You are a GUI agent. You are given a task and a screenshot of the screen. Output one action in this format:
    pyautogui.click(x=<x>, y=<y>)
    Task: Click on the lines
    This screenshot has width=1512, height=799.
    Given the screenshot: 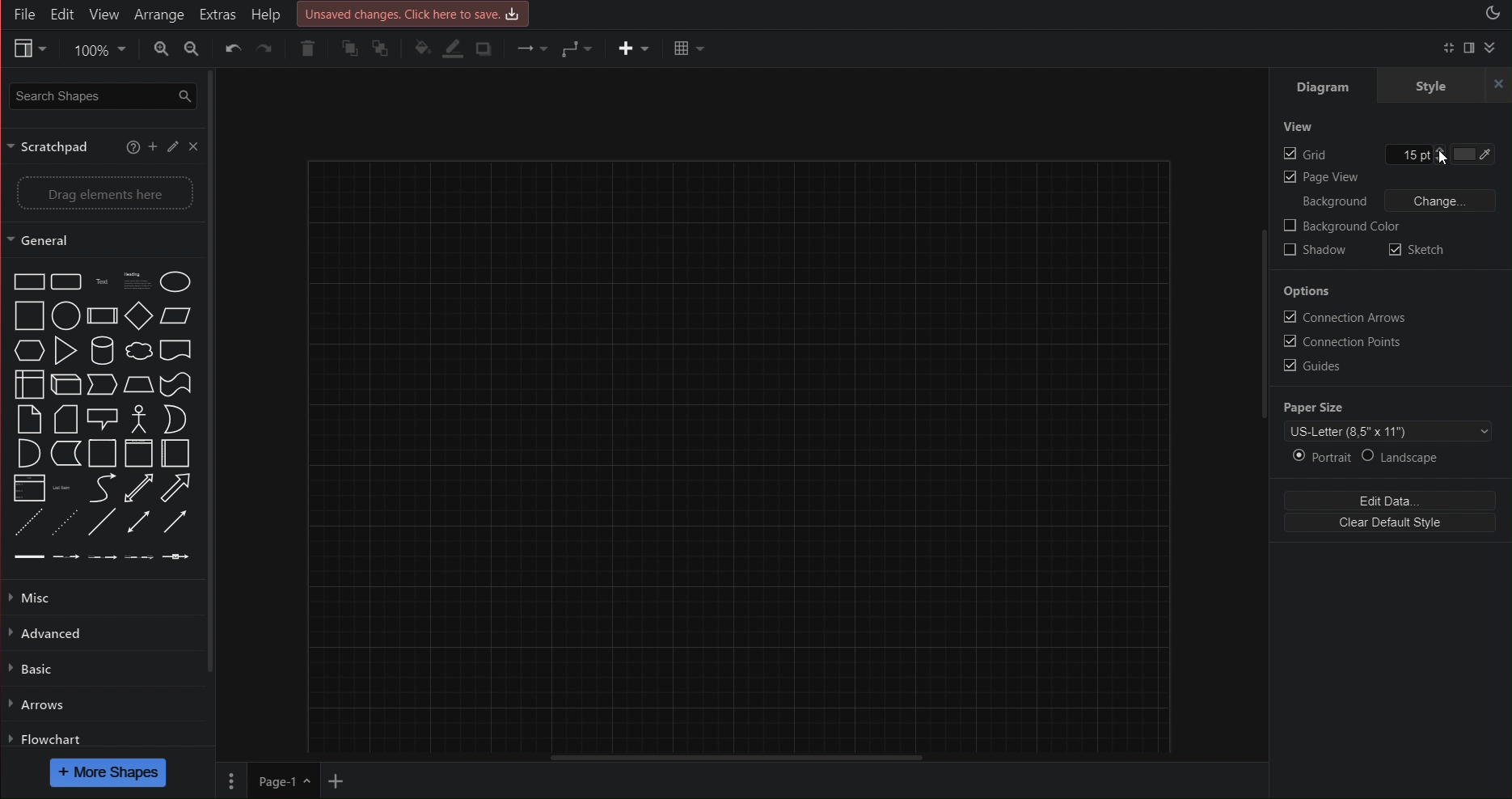 What is the action you would take?
    pyautogui.click(x=103, y=521)
    